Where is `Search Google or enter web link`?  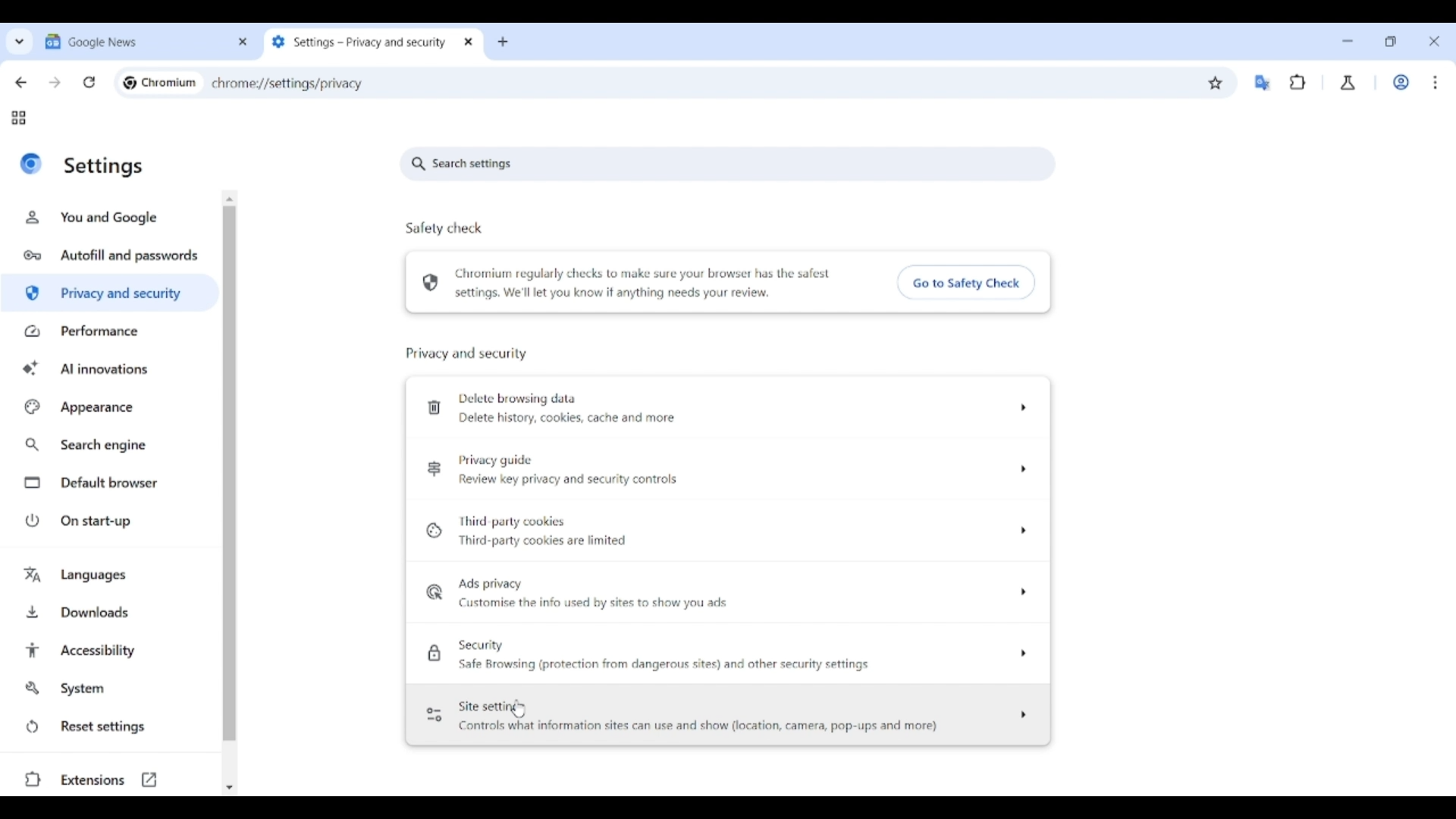
Search Google or enter web link is located at coordinates (775, 83).